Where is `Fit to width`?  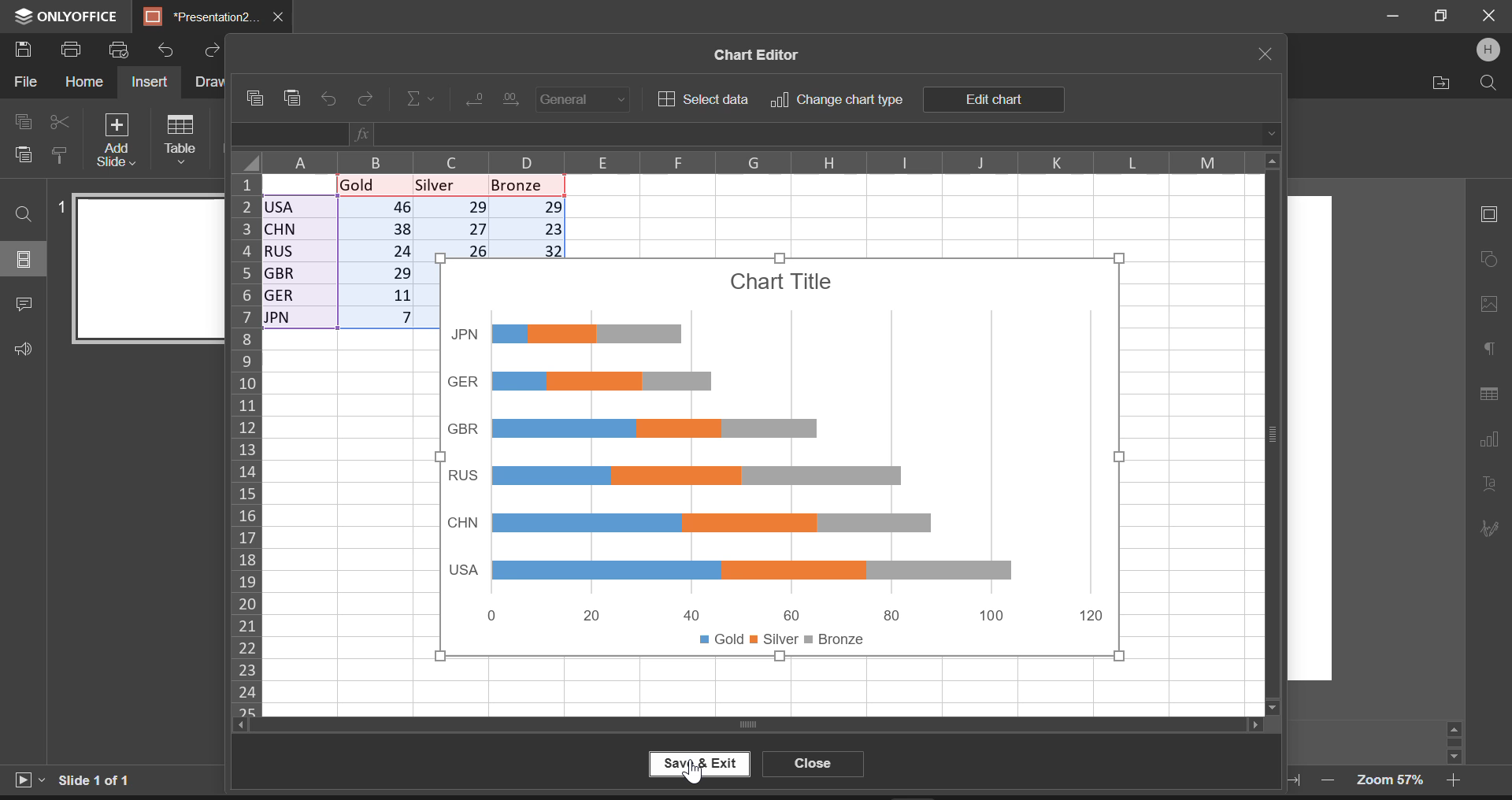
Fit to width is located at coordinates (1291, 780).